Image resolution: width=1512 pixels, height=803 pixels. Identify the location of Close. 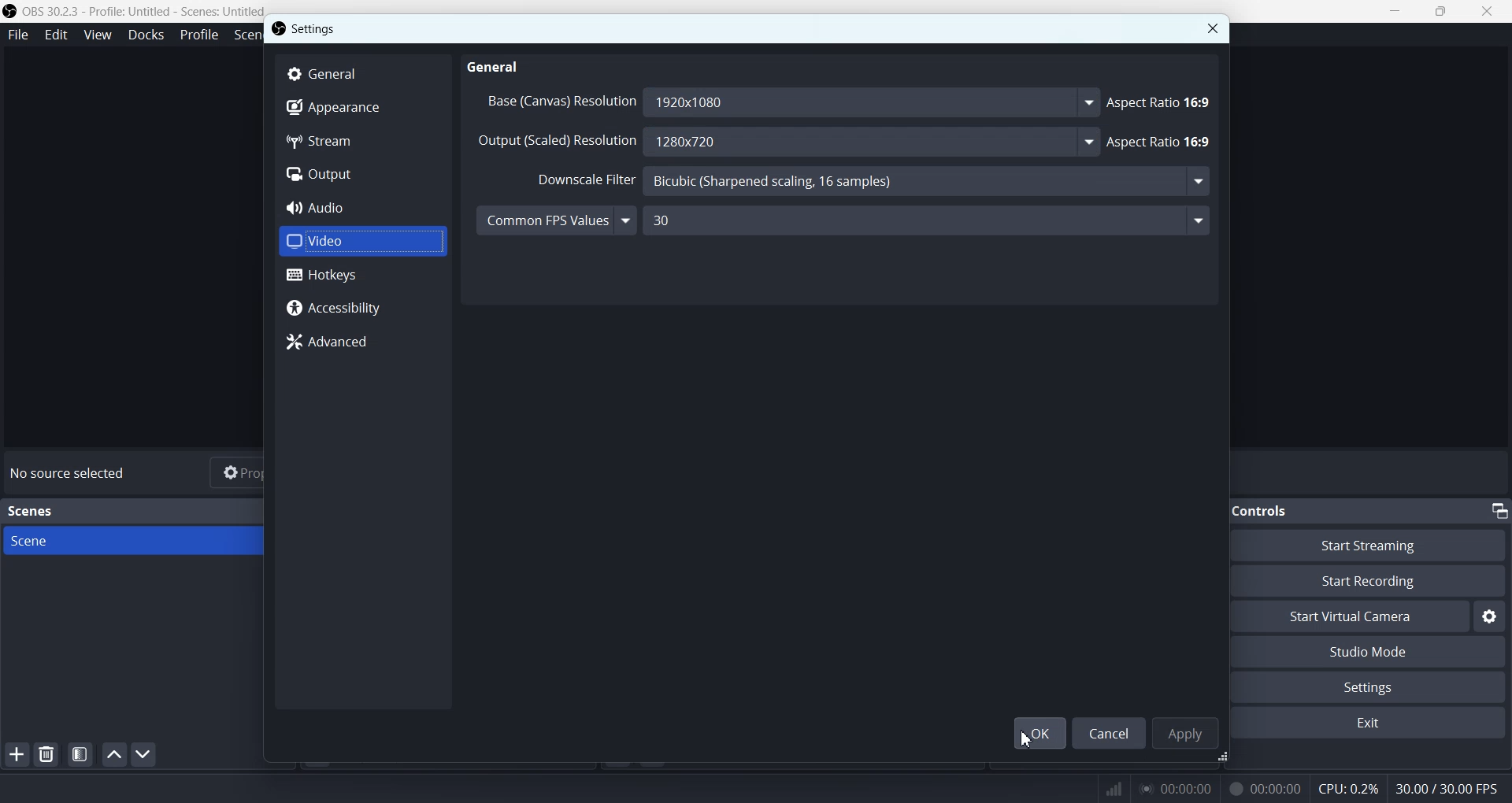
(1212, 28).